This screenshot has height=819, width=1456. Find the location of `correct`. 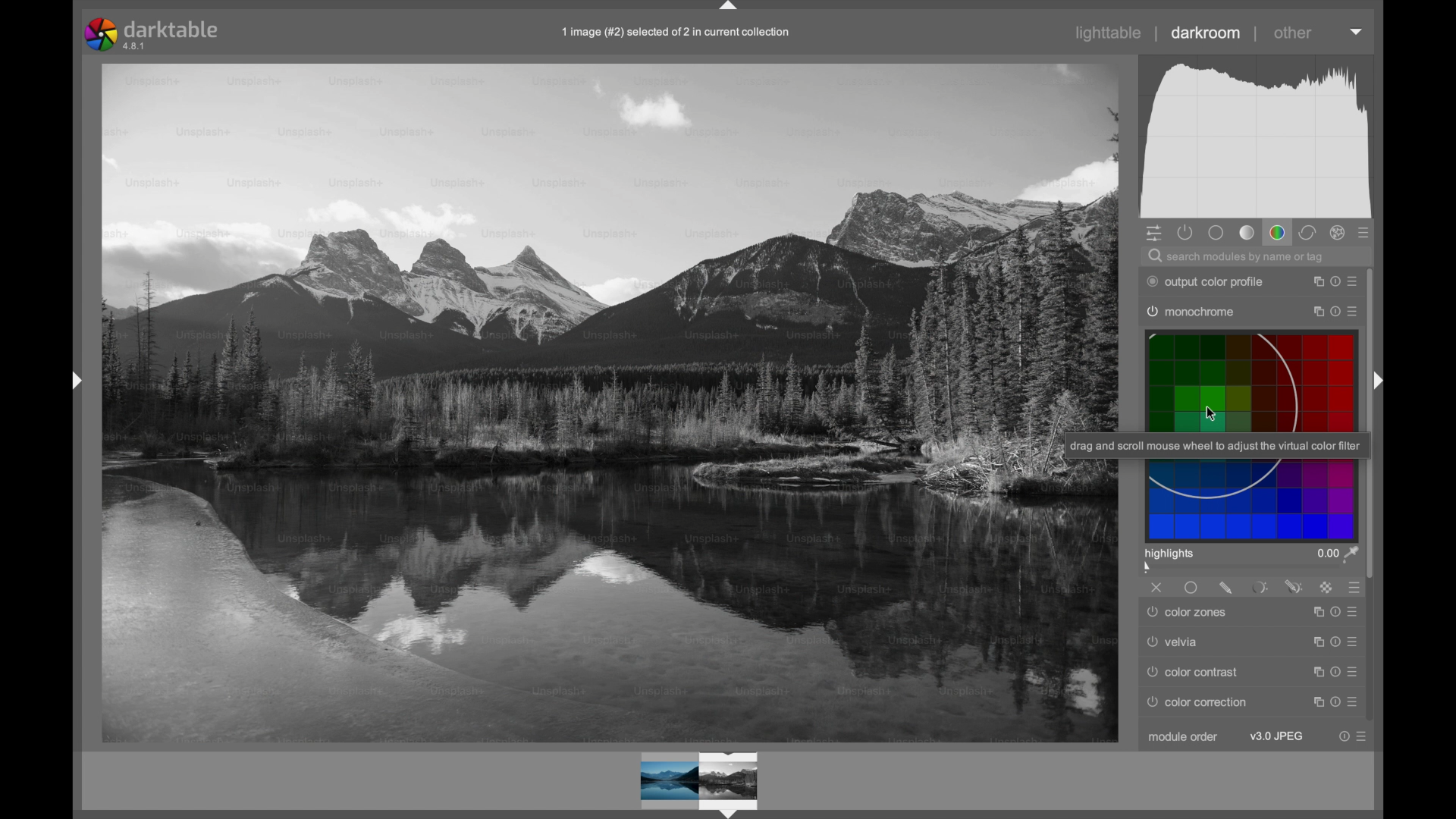

correct is located at coordinates (1307, 234).